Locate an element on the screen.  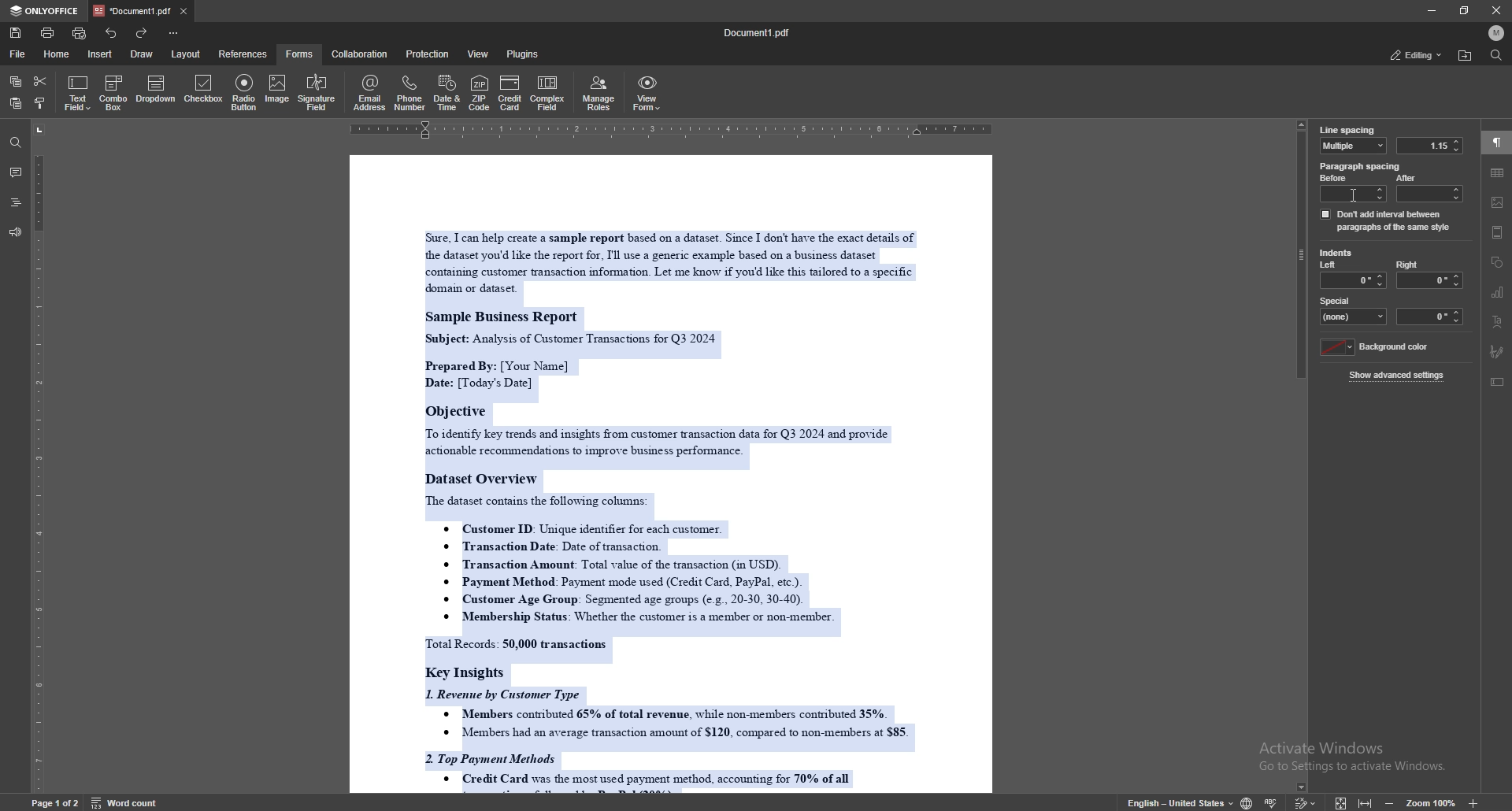
customize toolbar is located at coordinates (172, 32).